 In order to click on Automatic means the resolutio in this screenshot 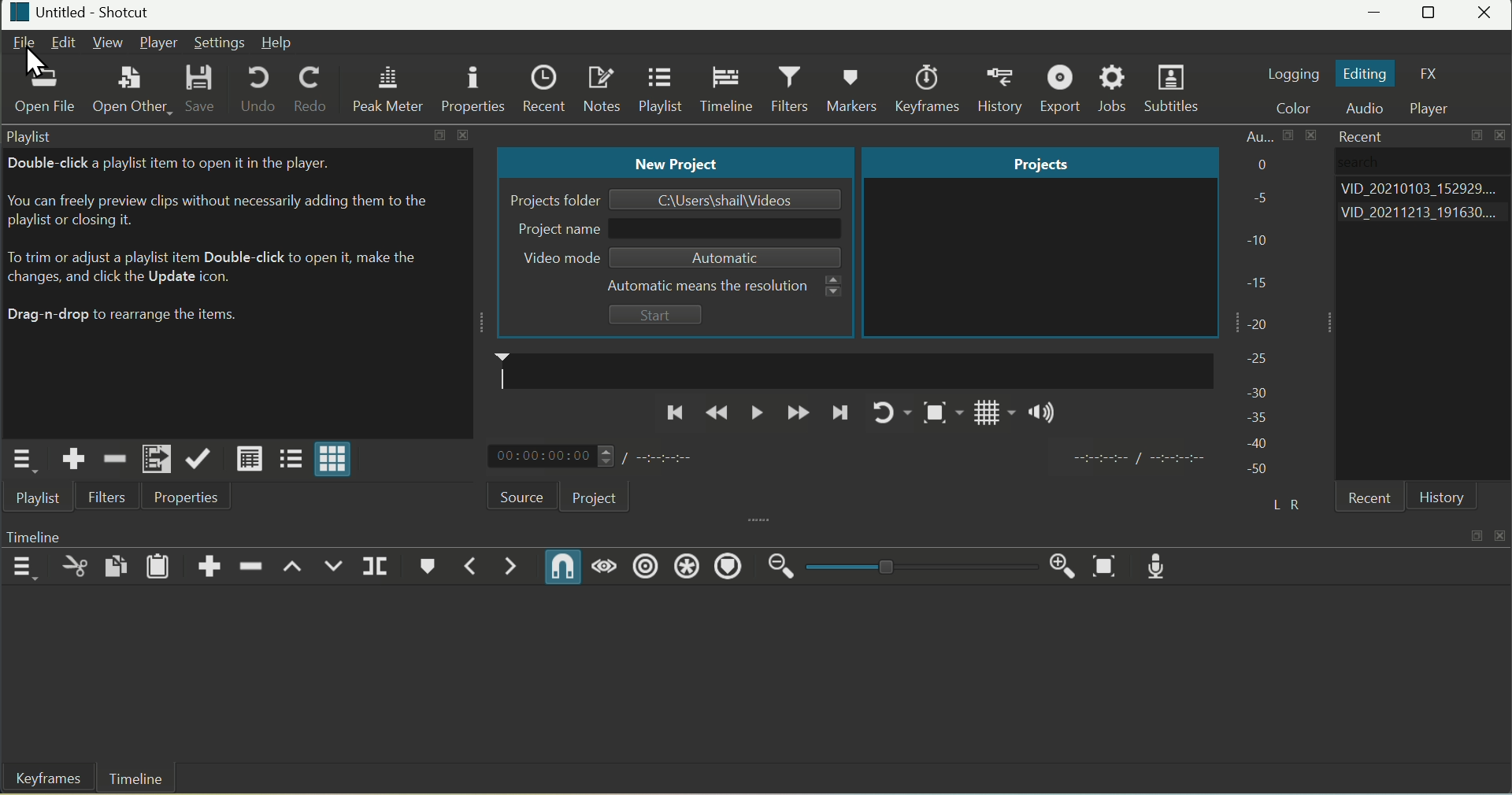, I will do `click(710, 286)`.